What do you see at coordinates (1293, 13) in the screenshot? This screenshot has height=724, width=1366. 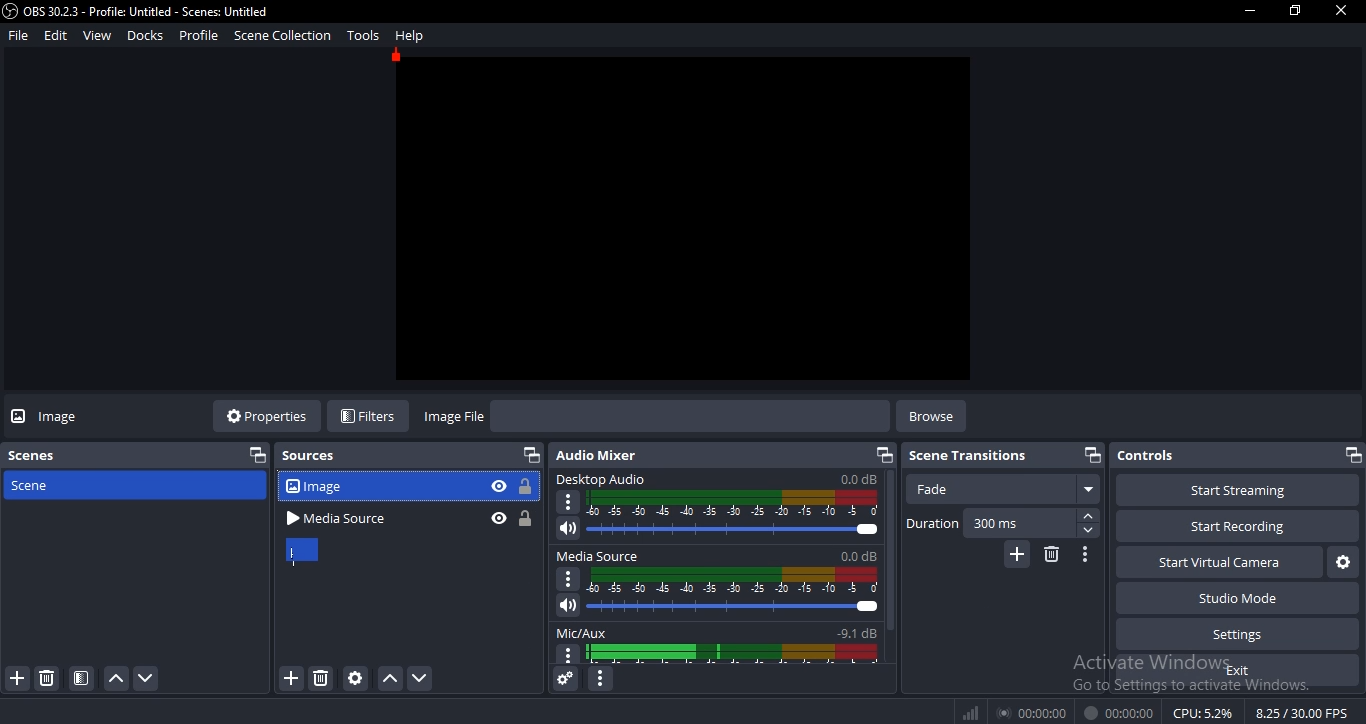 I see `restore window` at bounding box center [1293, 13].